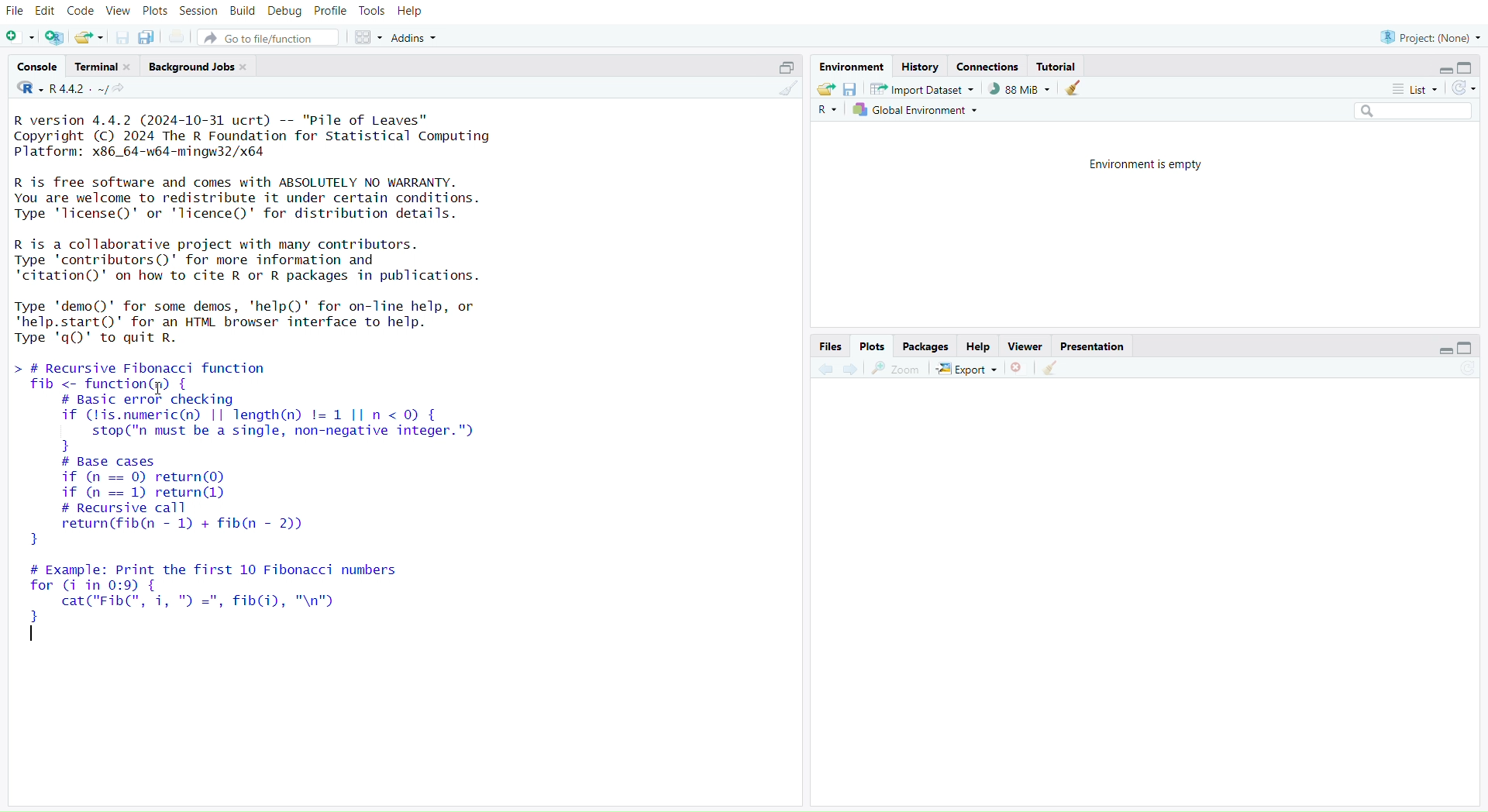  Describe the element at coordinates (104, 67) in the screenshot. I see `terminal` at that location.